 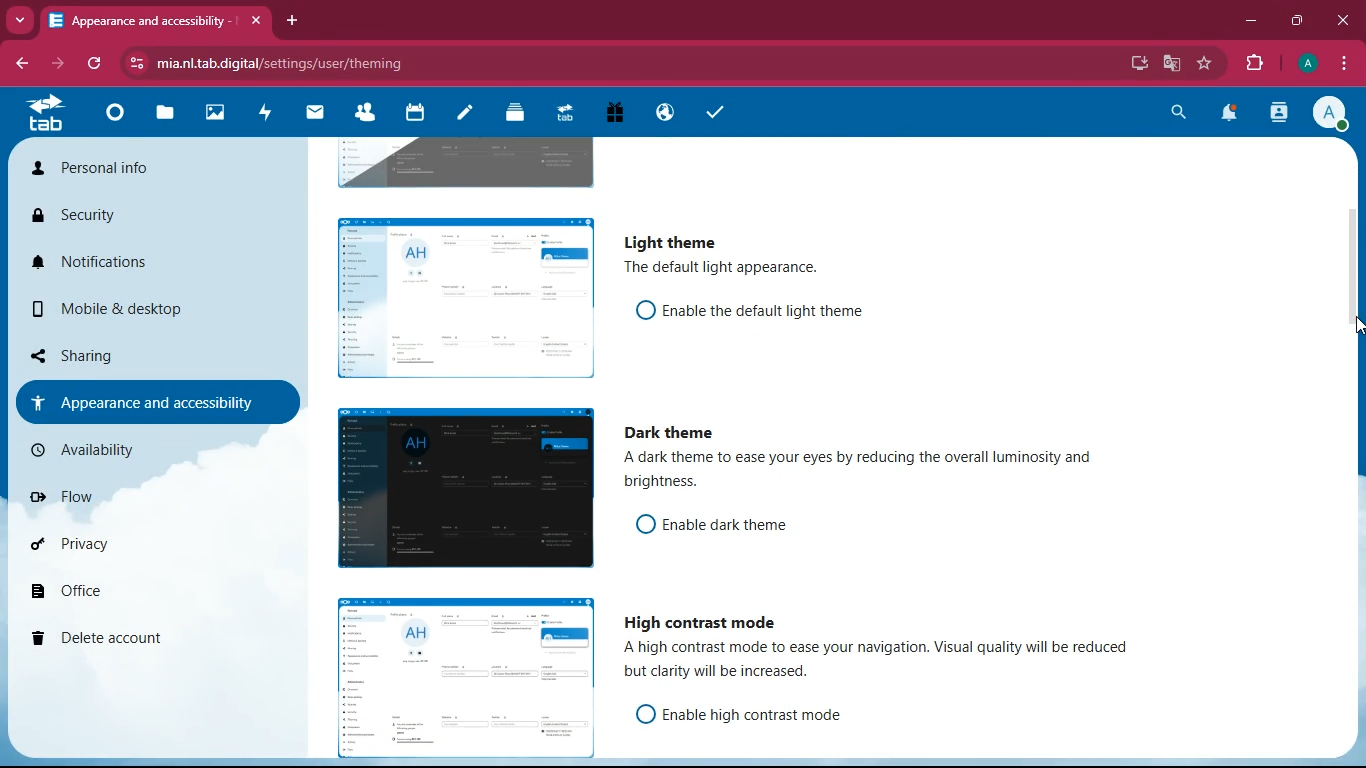 I want to click on activity, so click(x=264, y=115).